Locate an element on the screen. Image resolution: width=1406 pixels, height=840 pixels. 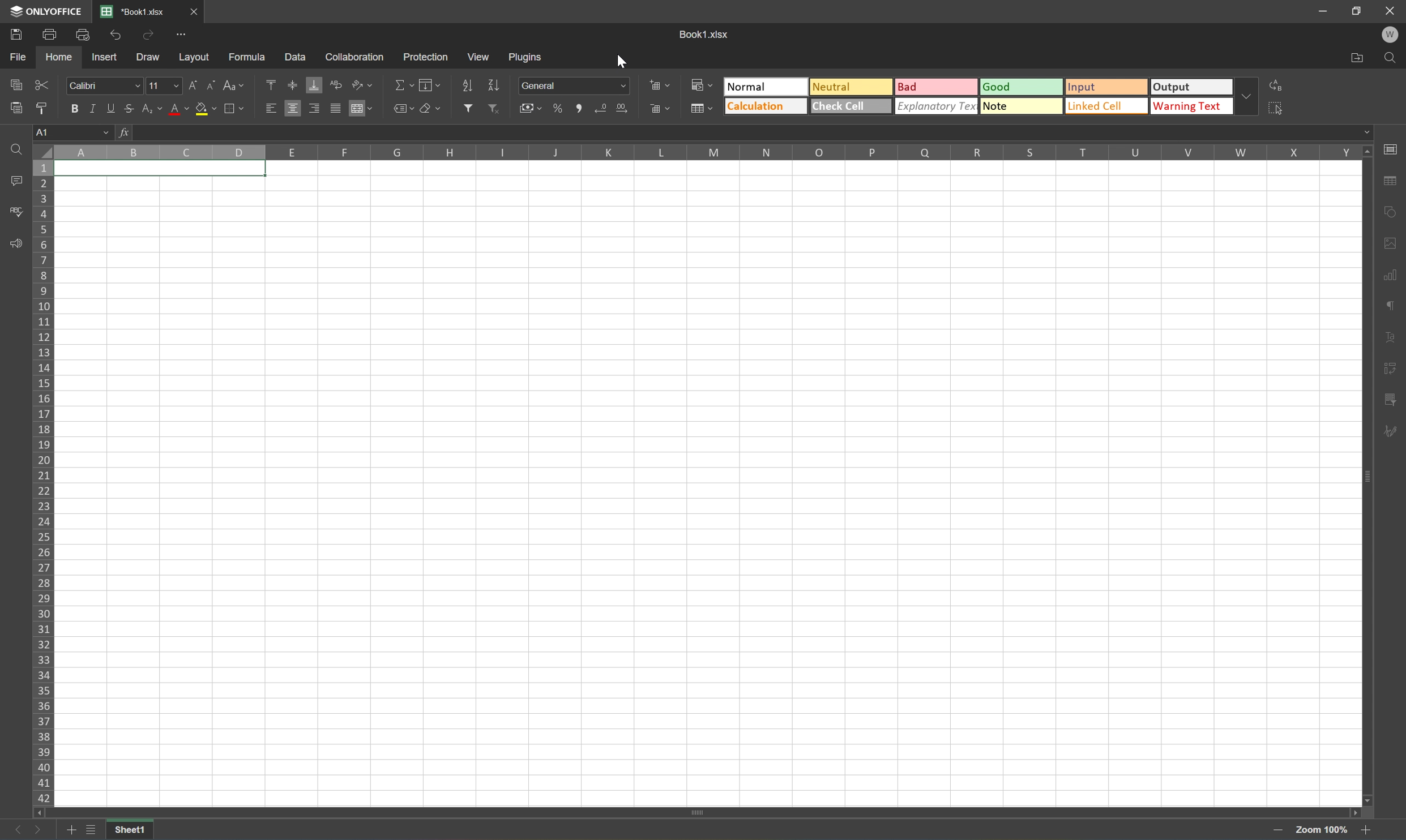
Quick print is located at coordinates (87, 37).